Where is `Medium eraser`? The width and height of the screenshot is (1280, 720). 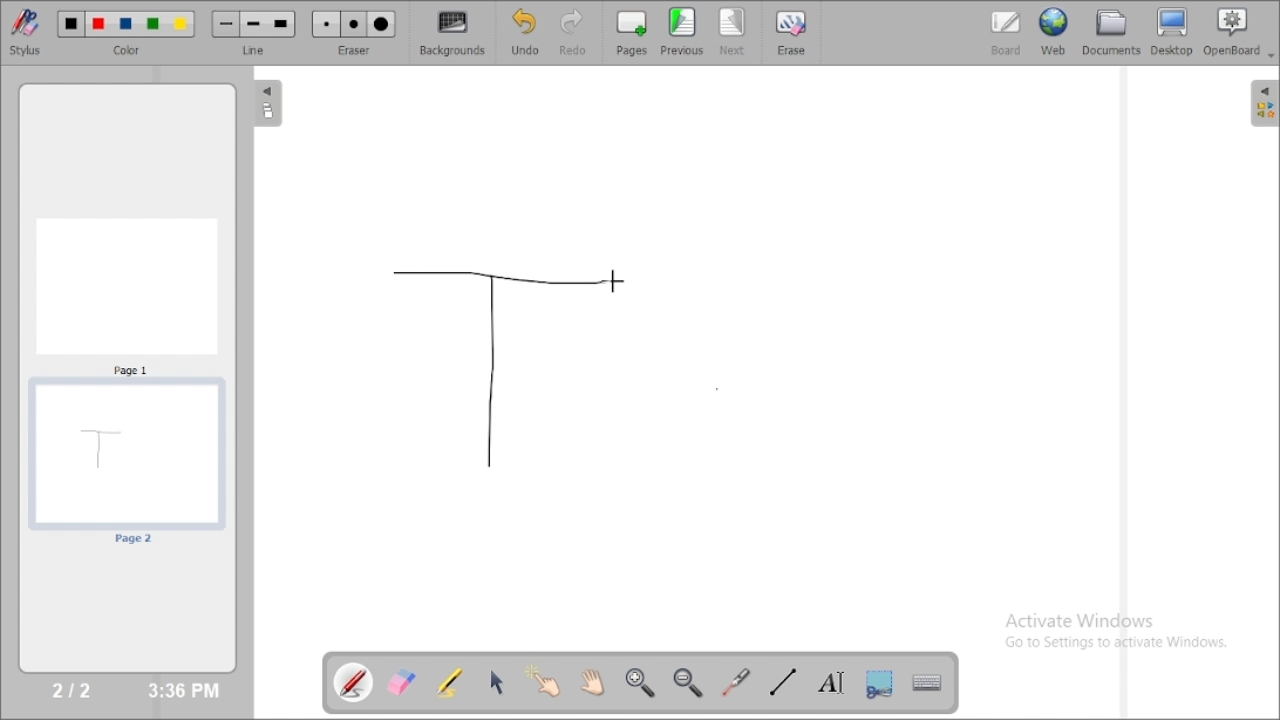
Medium eraser is located at coordinates (354, 25).